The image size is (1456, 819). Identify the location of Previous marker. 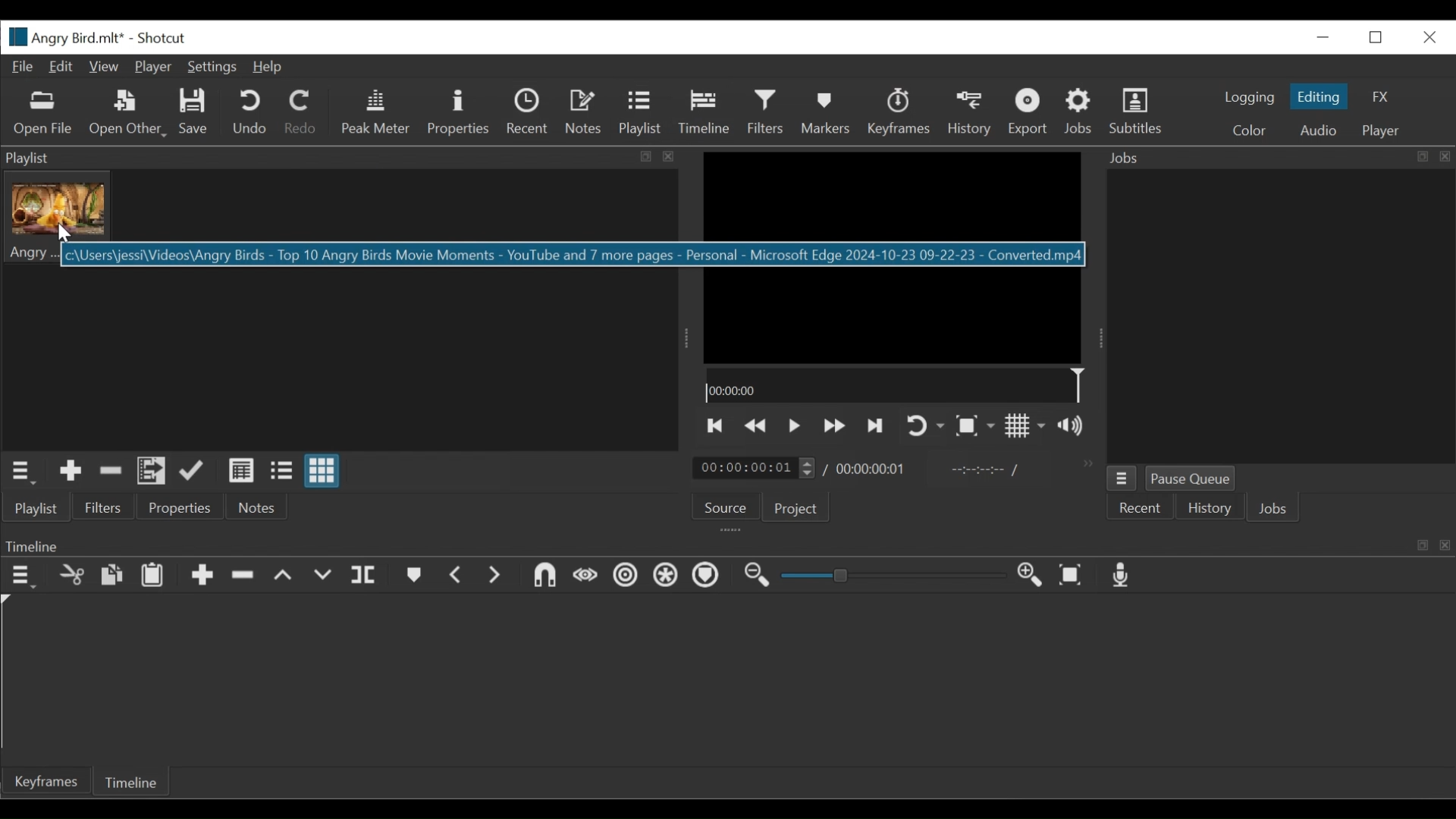
(457, 576).